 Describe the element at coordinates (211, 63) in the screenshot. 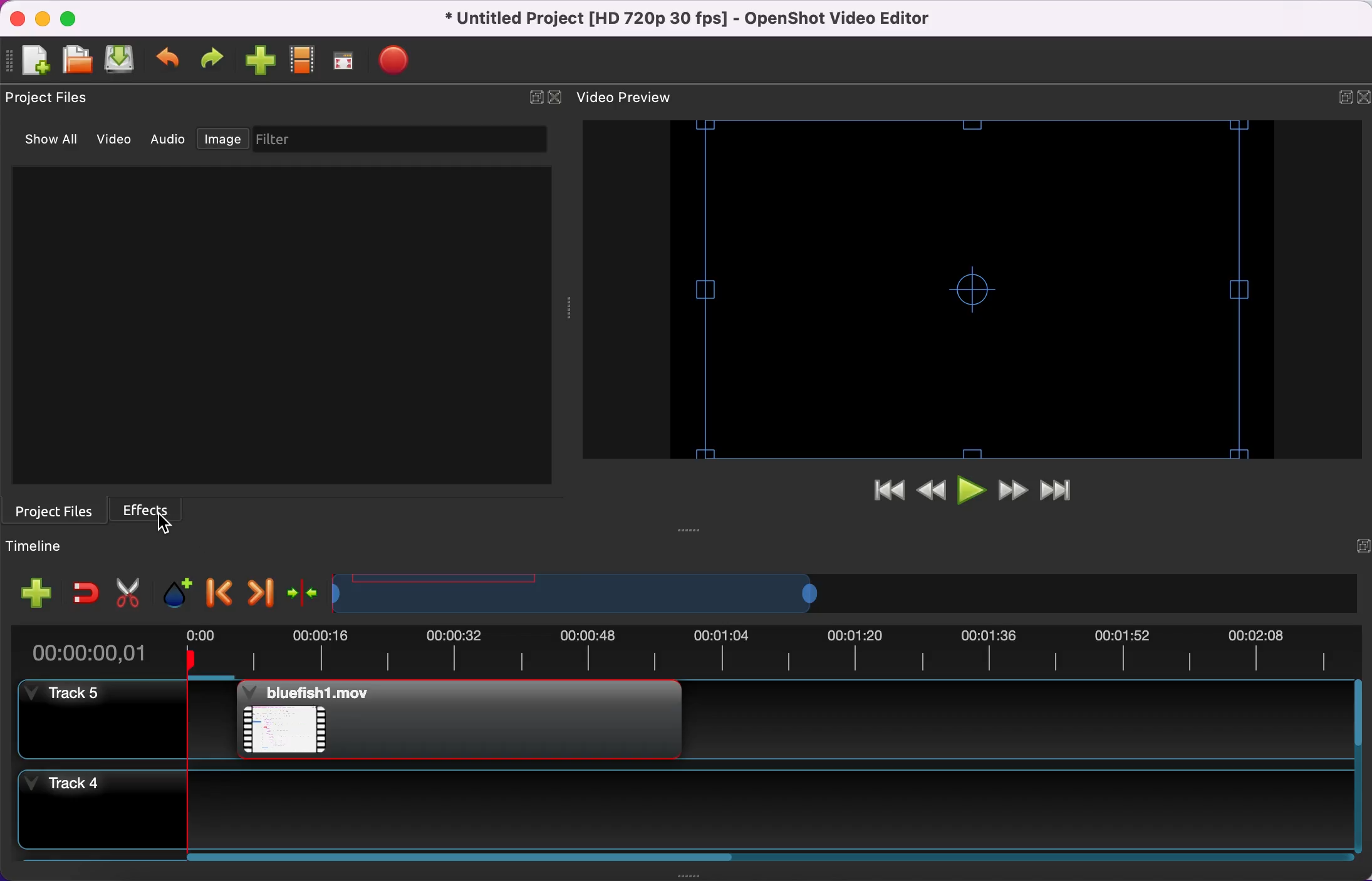

I see `redo` at that location.